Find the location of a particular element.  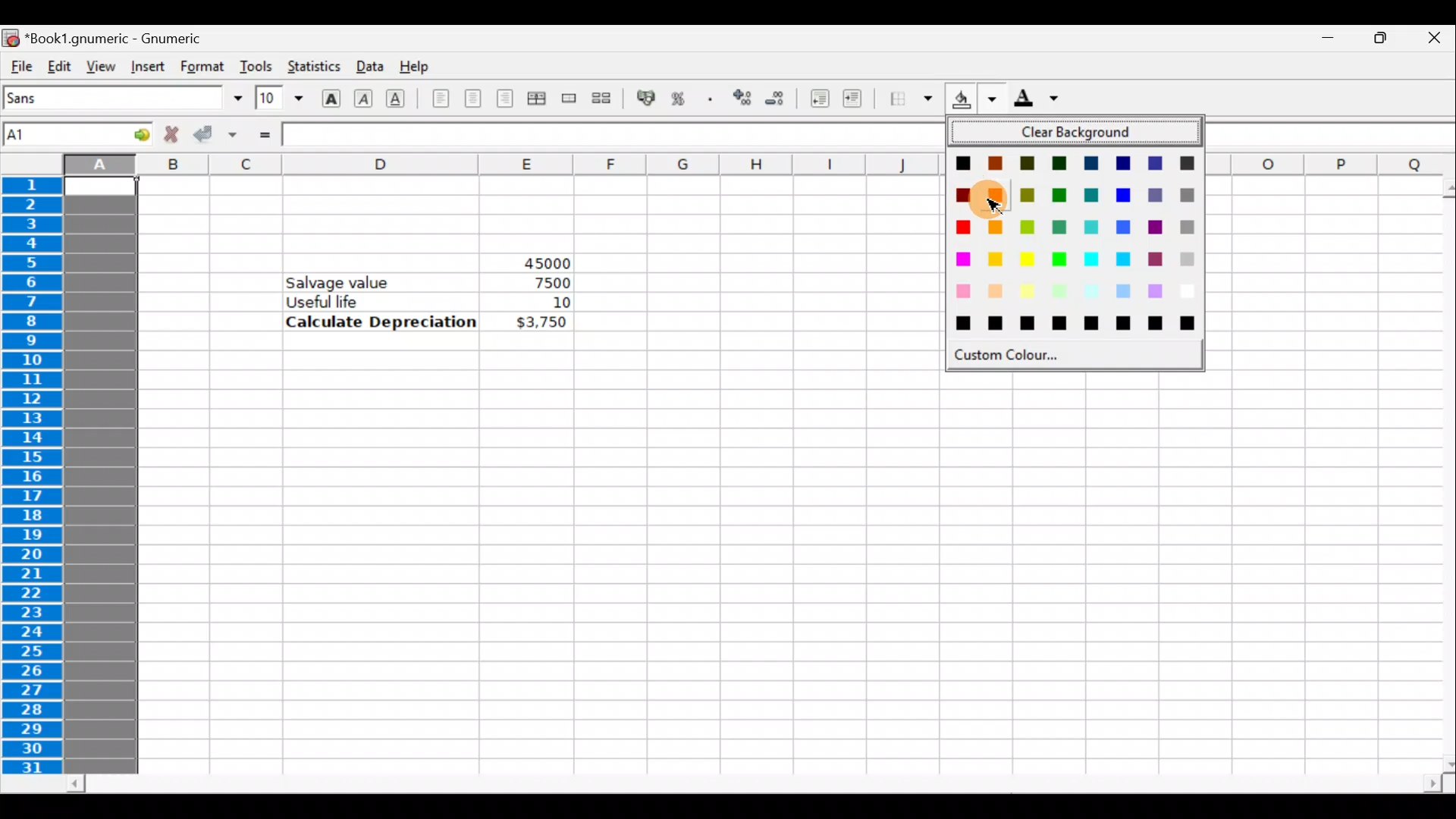

Decrease the number of decimals is located at coordinates (775, 98).